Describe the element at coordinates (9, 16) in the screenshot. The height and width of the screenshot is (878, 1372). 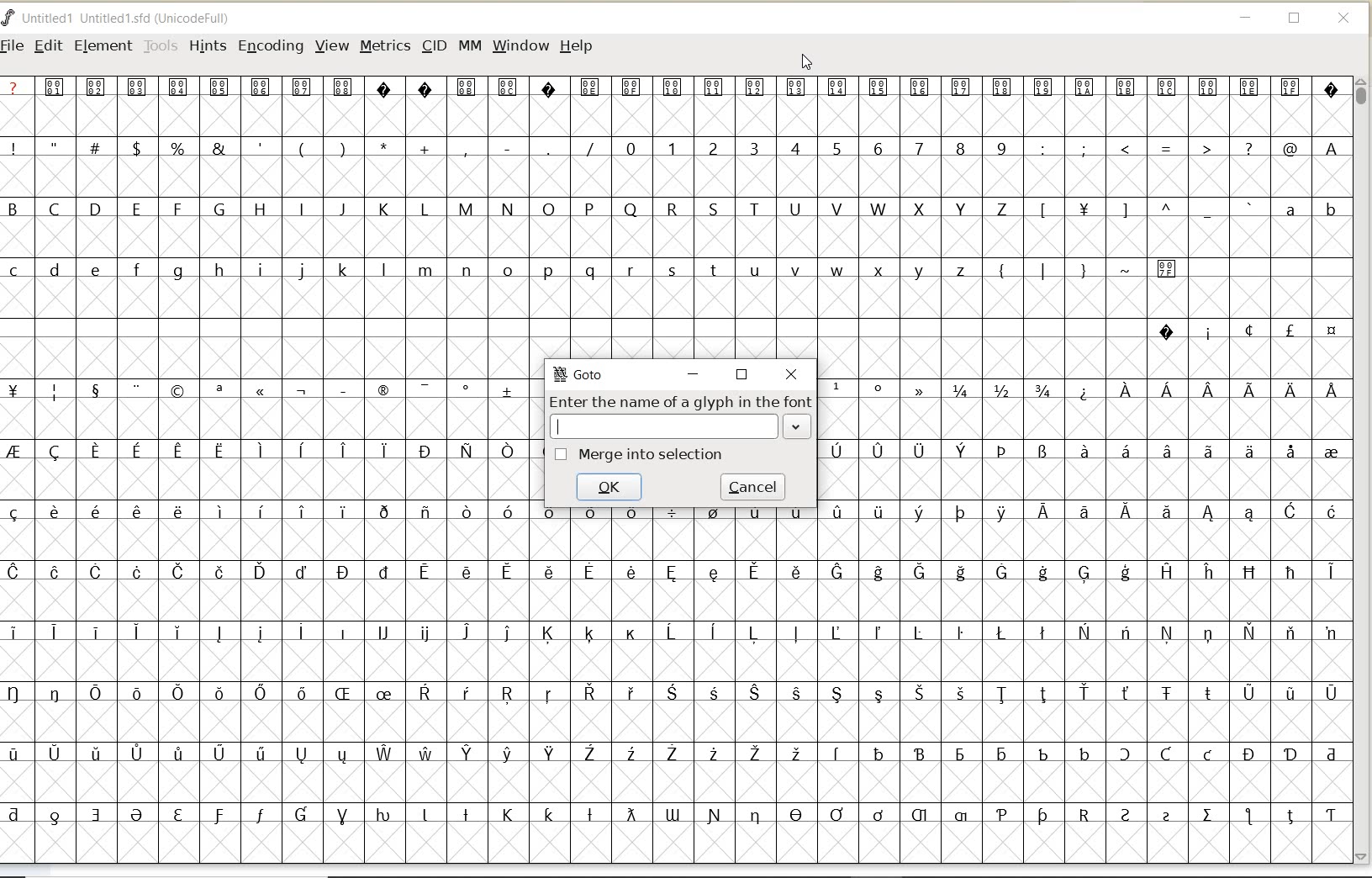
I see `FontForge Logo` at that location.